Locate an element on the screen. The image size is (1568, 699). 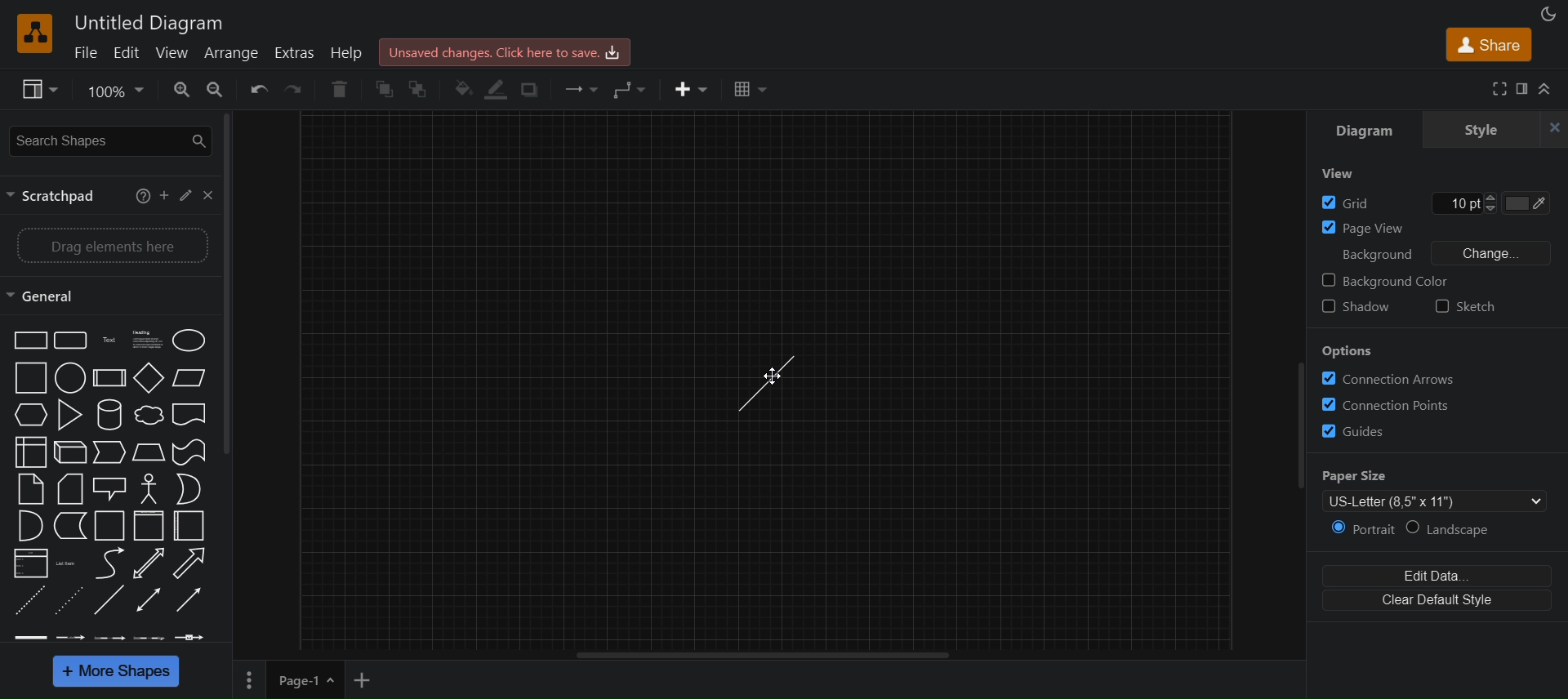
Text is located at coordinates (106, 339).